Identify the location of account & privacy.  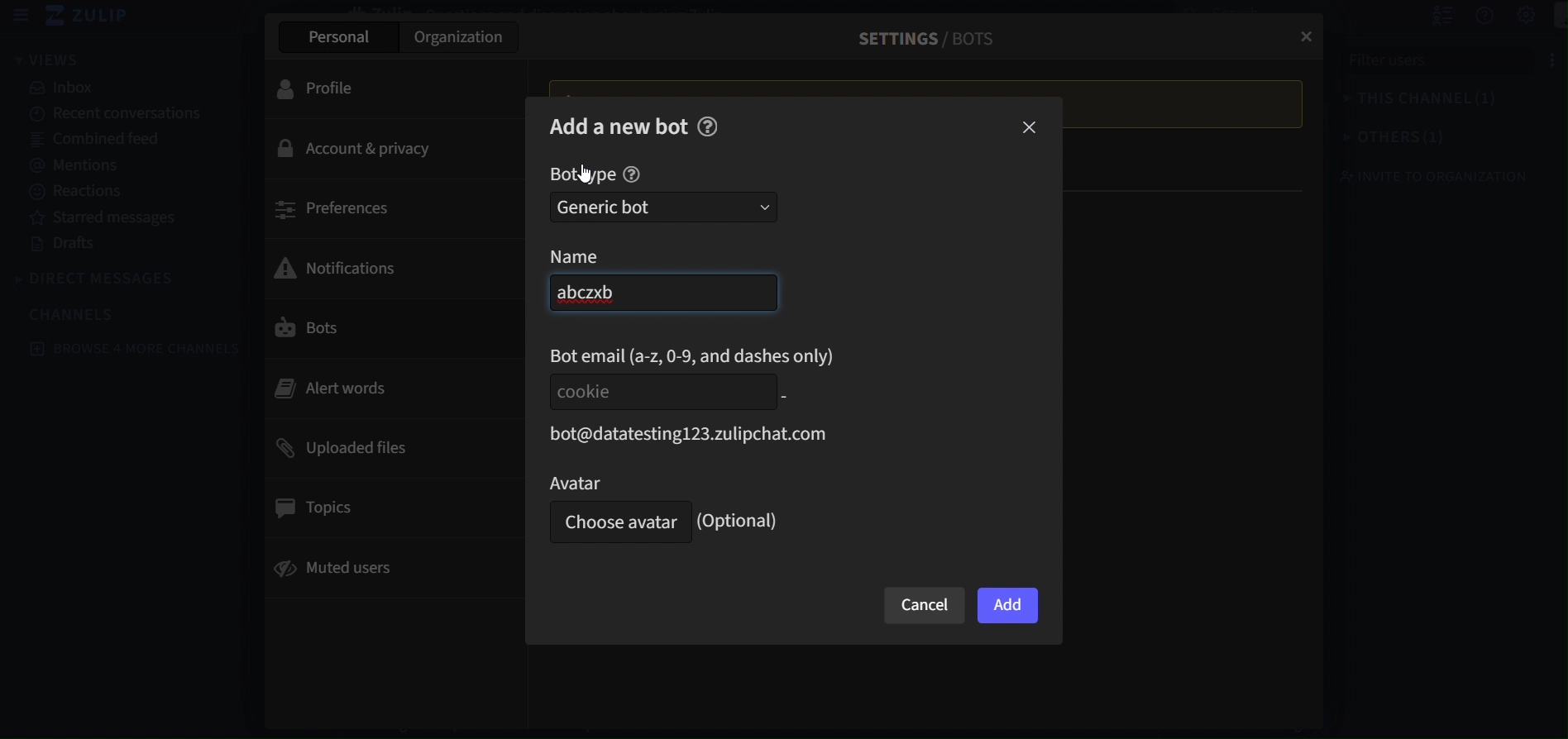
(391, 150).